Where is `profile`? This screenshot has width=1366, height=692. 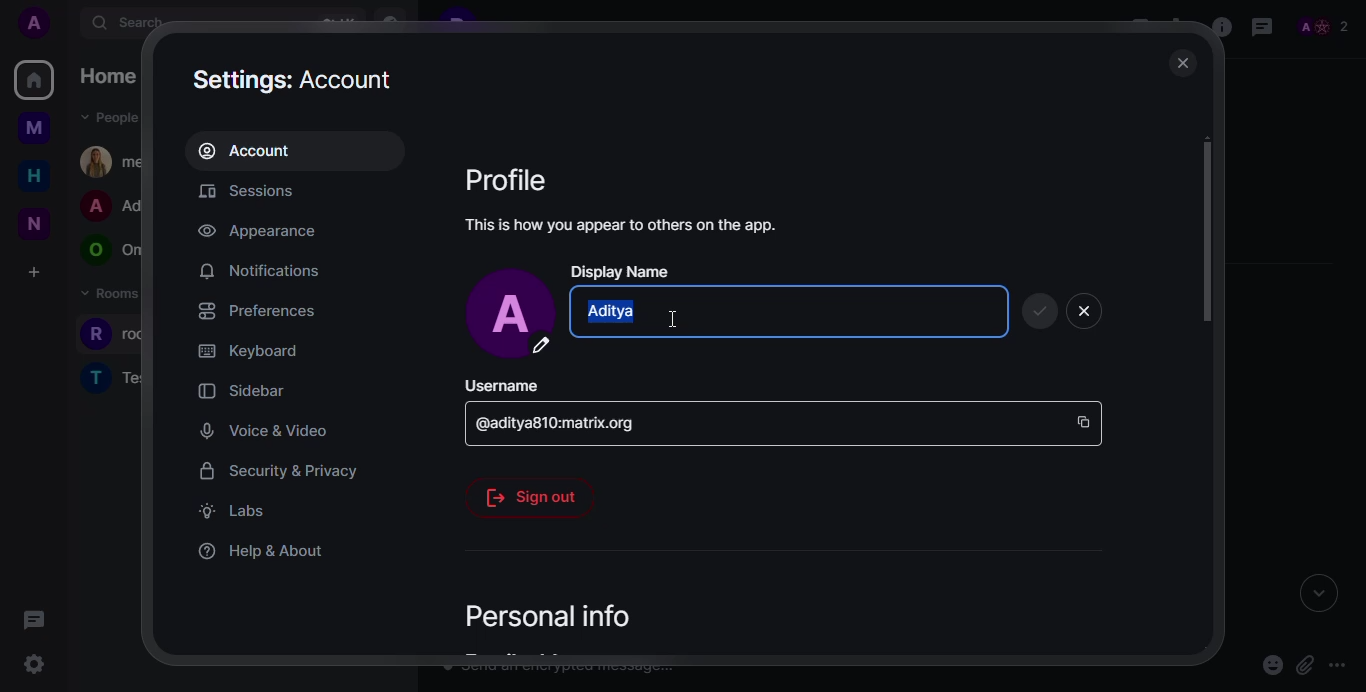
profile is located at coordinates (513, 178).